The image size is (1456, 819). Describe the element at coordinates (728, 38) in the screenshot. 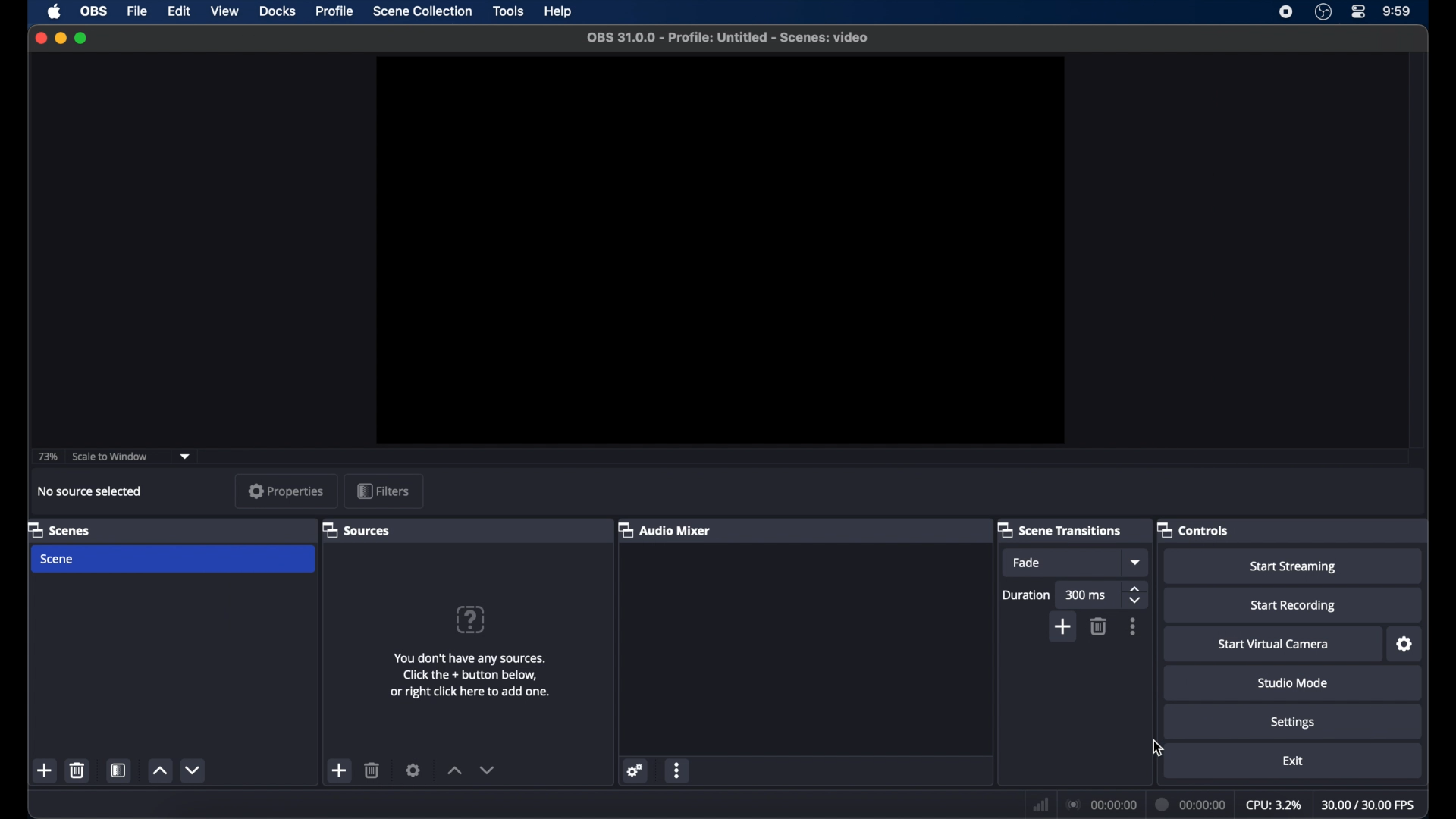

I see `filename` at that location.